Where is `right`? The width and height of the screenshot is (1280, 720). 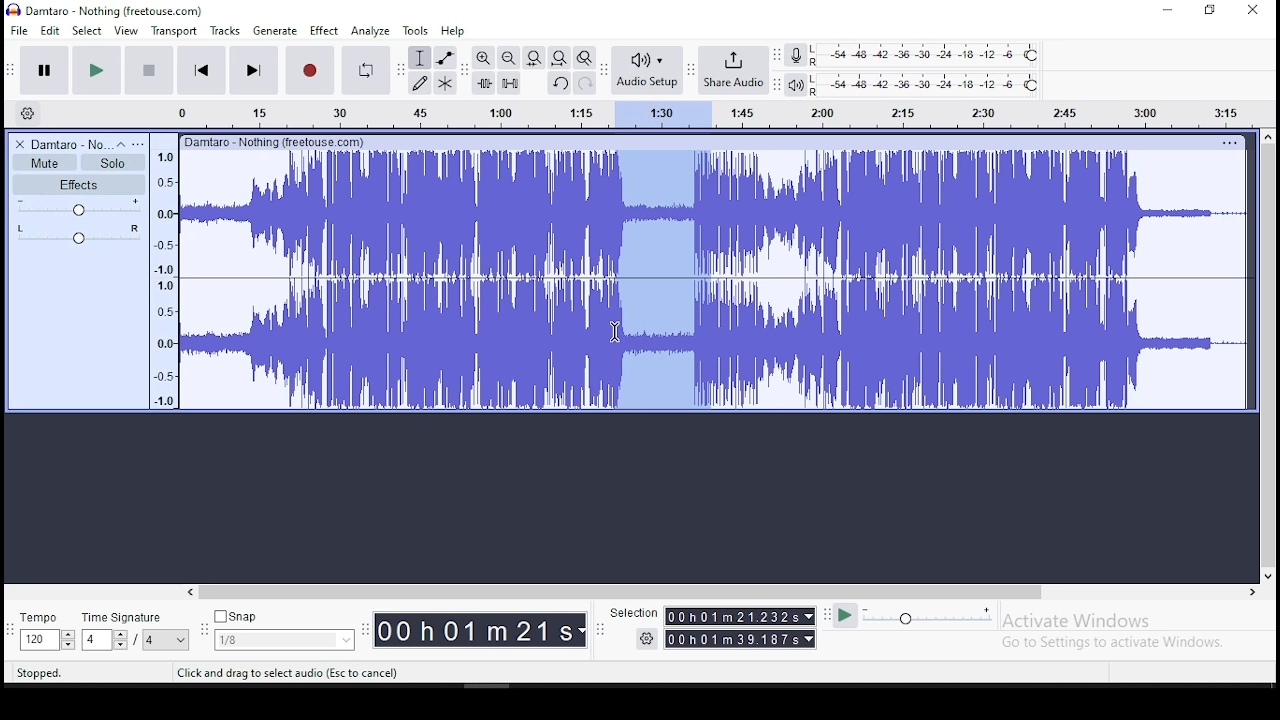
right is located at coordinates (1251, 592).